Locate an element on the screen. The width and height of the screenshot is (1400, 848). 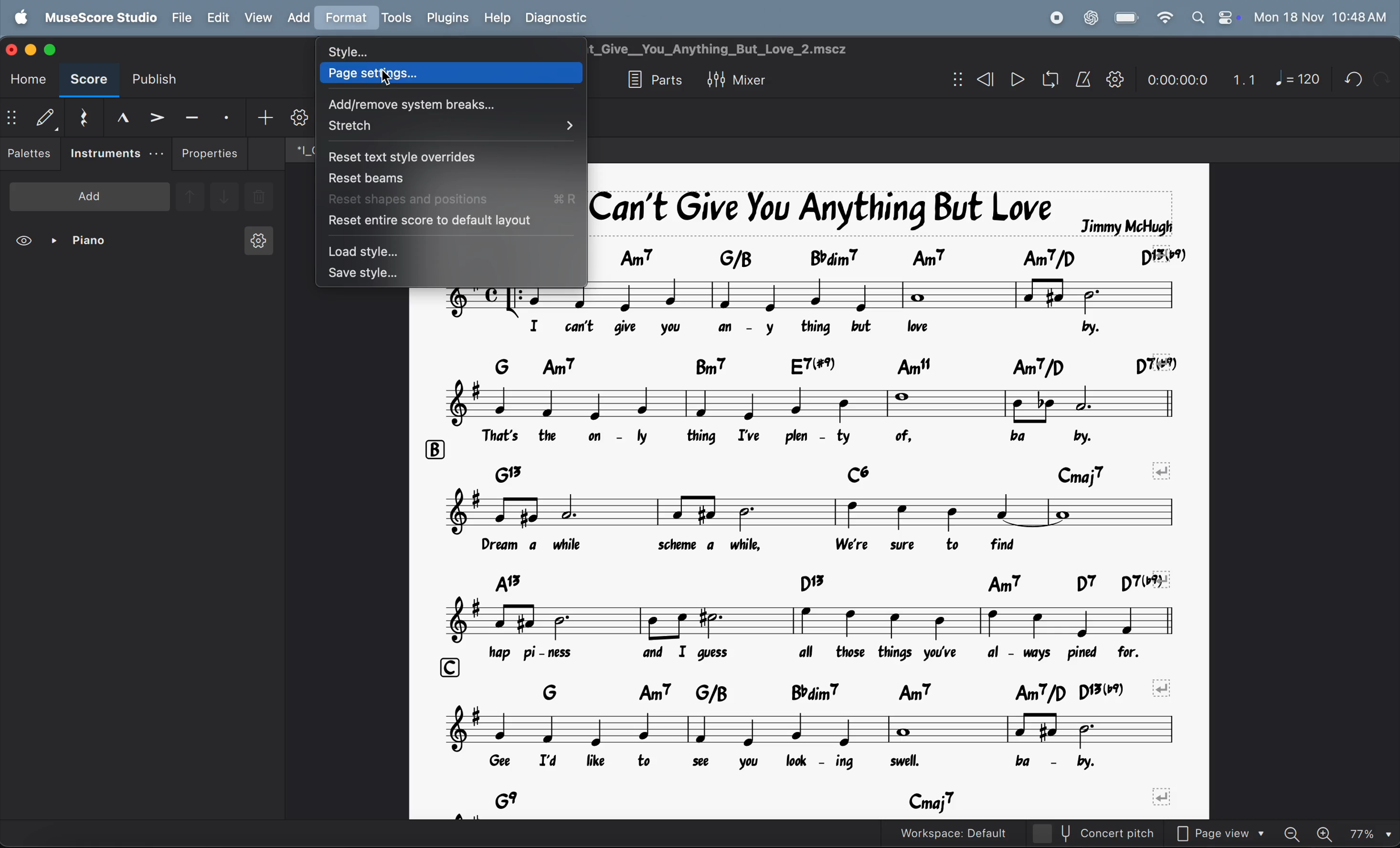
staccato is located at coordinates (228, 116).